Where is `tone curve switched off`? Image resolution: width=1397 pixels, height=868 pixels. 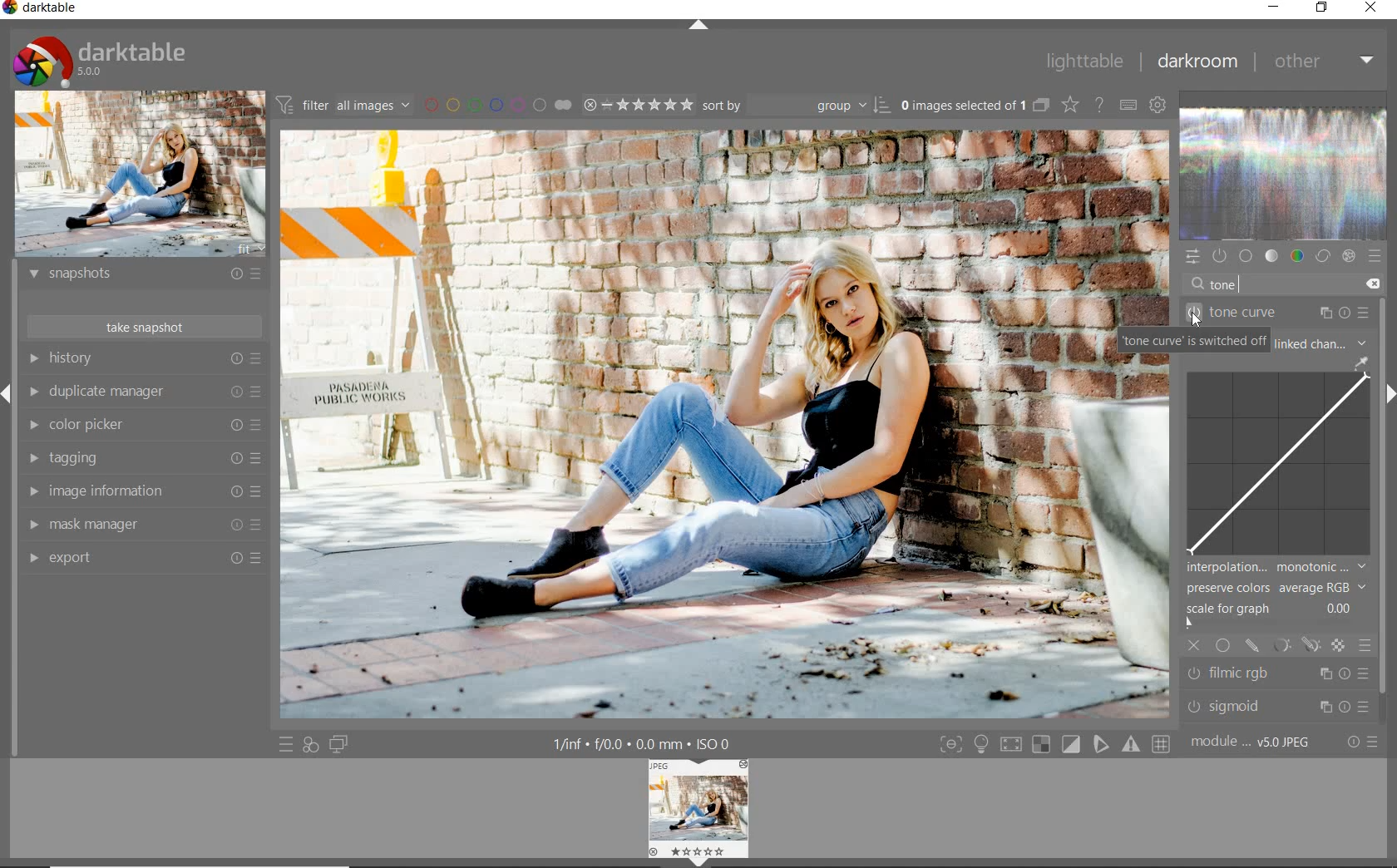
tone curve switched off is located at coordinates (1194, 344).